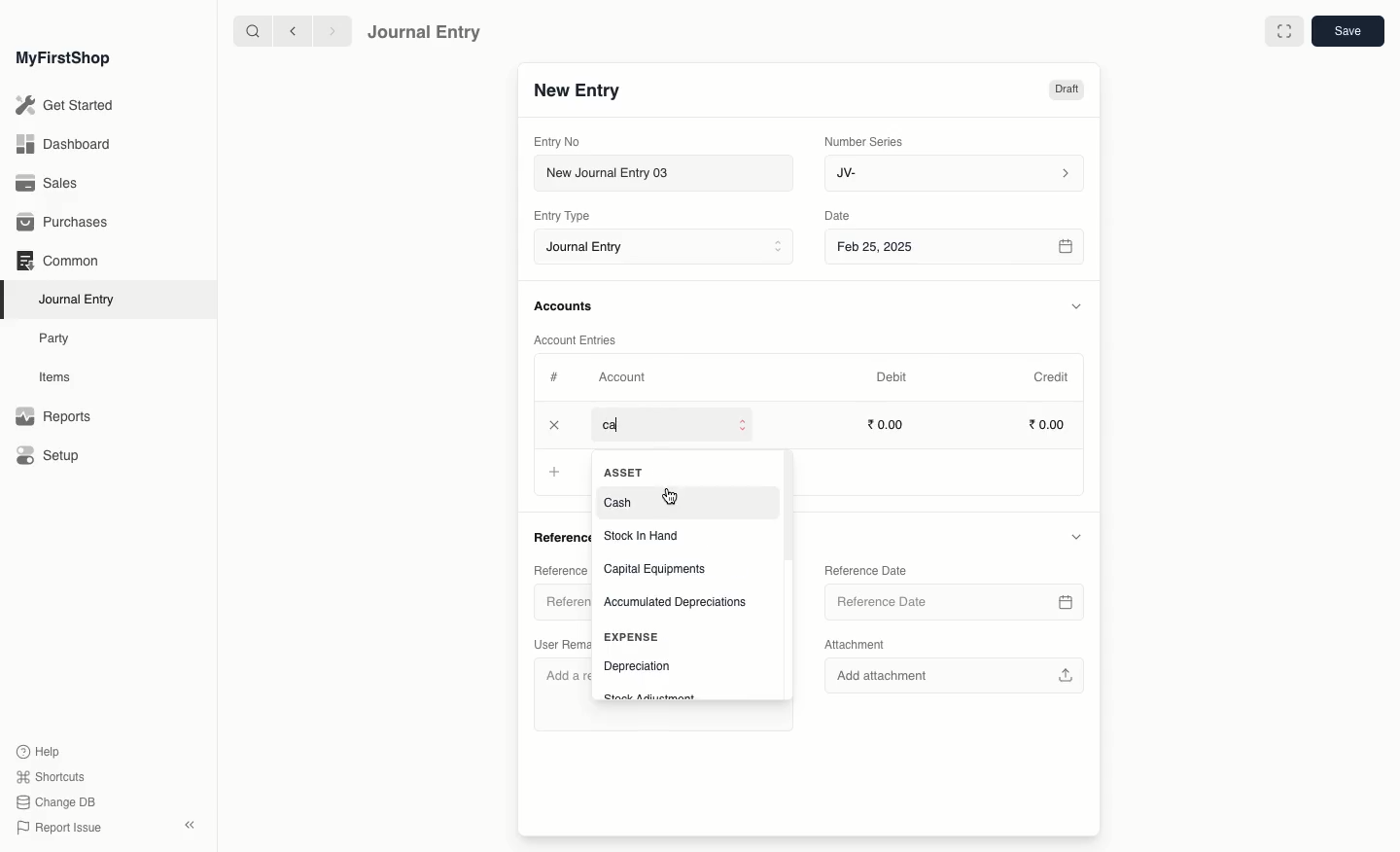 This screenshot has height=852, width=1400. Describe the element at coordinates (82, 299) in the screenshot. I see `Journal Entry` at that location.